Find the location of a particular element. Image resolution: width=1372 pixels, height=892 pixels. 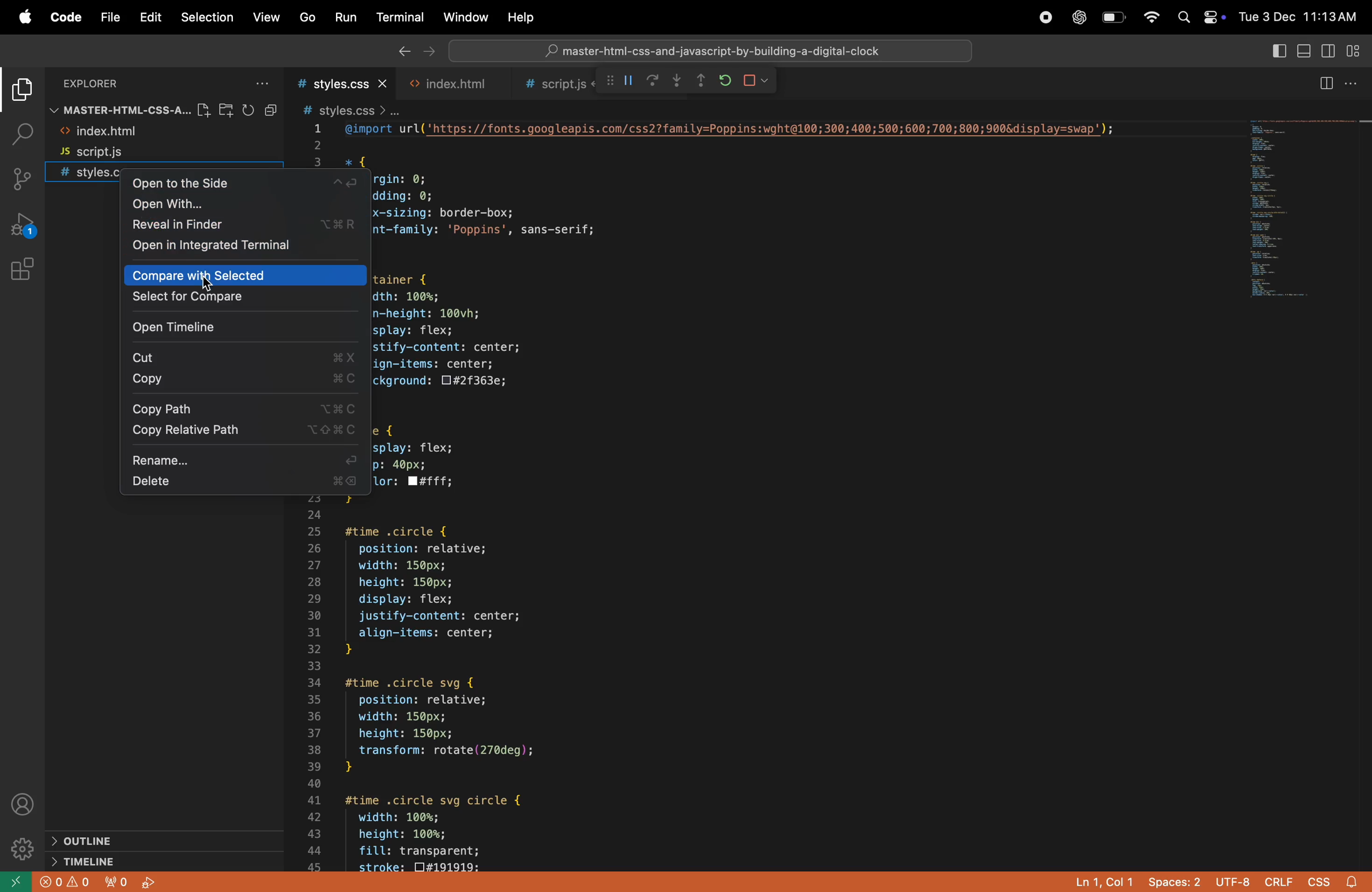

apple menu is located at coordinates (24, 18).